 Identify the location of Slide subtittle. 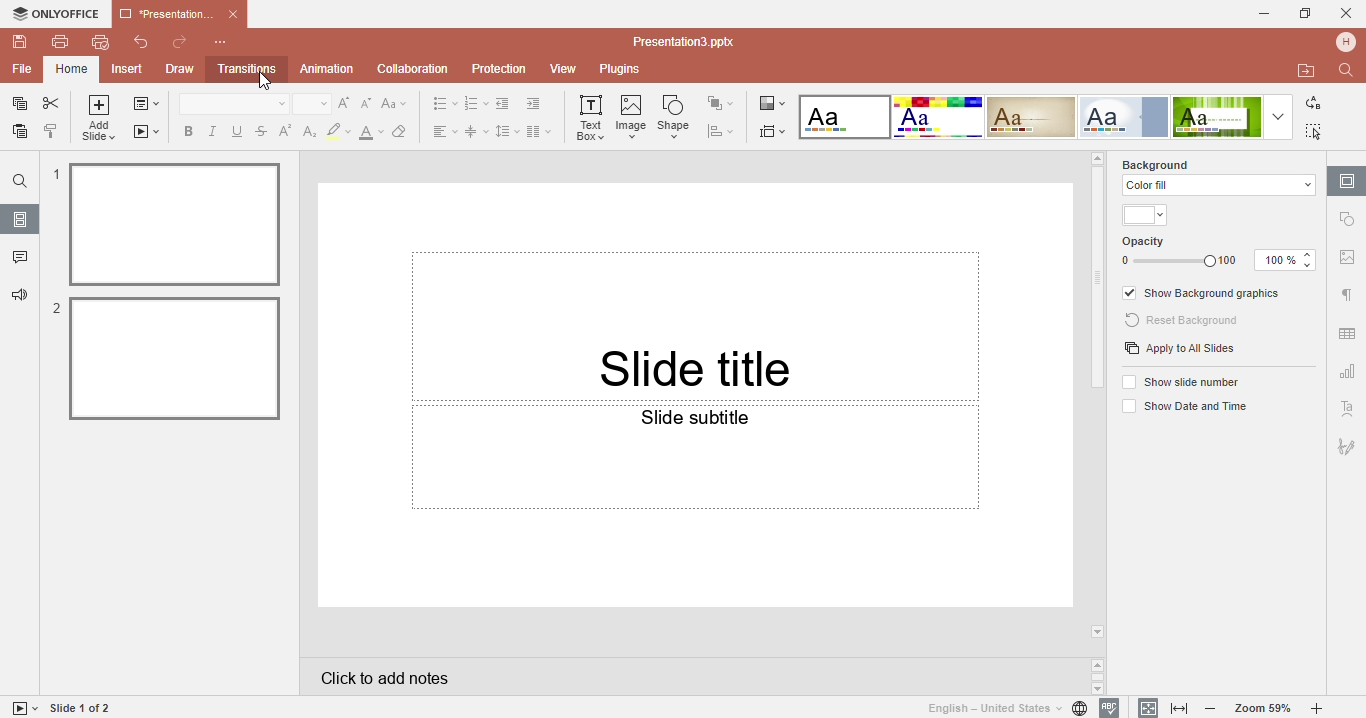
(695, 505).